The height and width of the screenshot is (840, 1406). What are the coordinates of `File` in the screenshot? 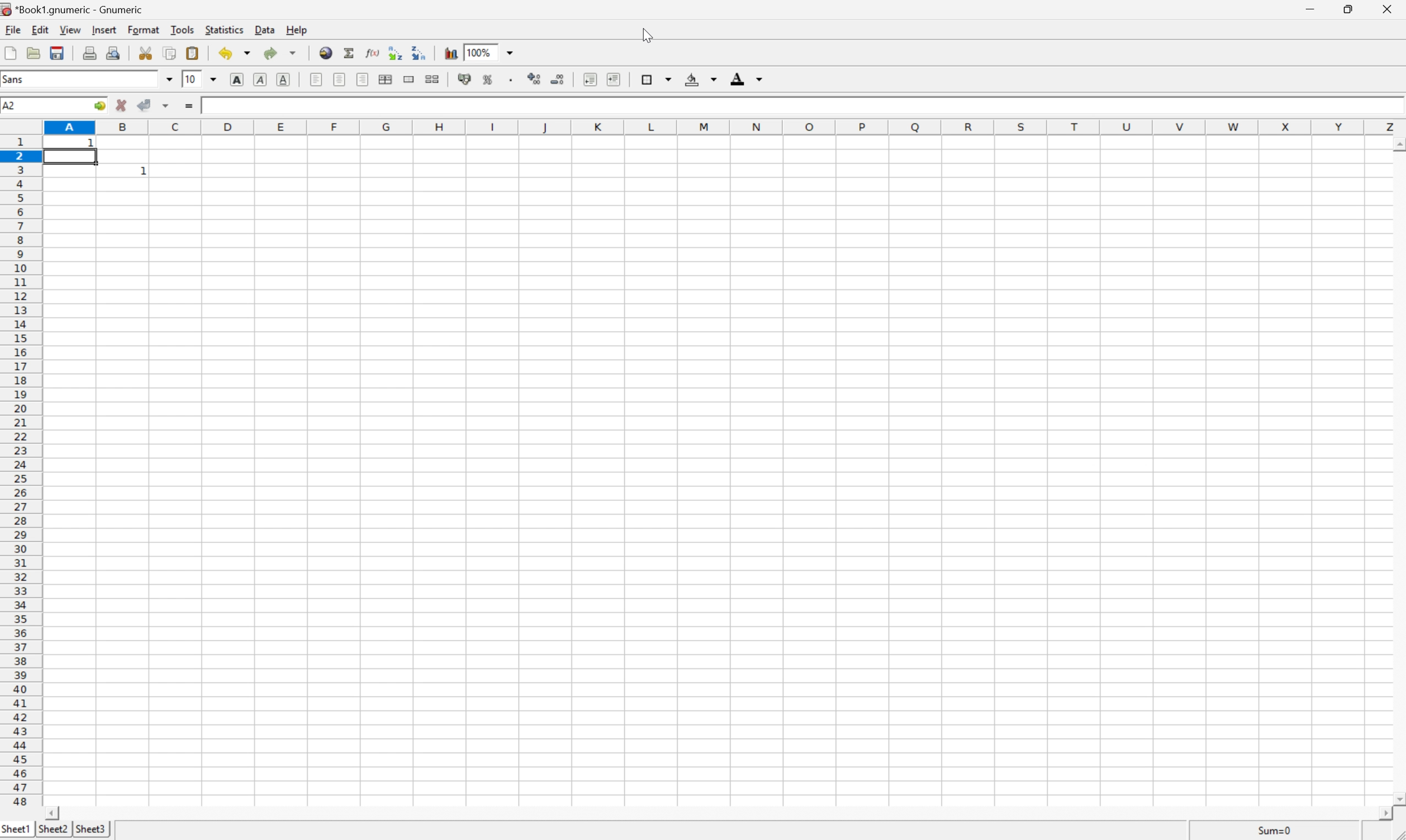 It's located at (13, 30).